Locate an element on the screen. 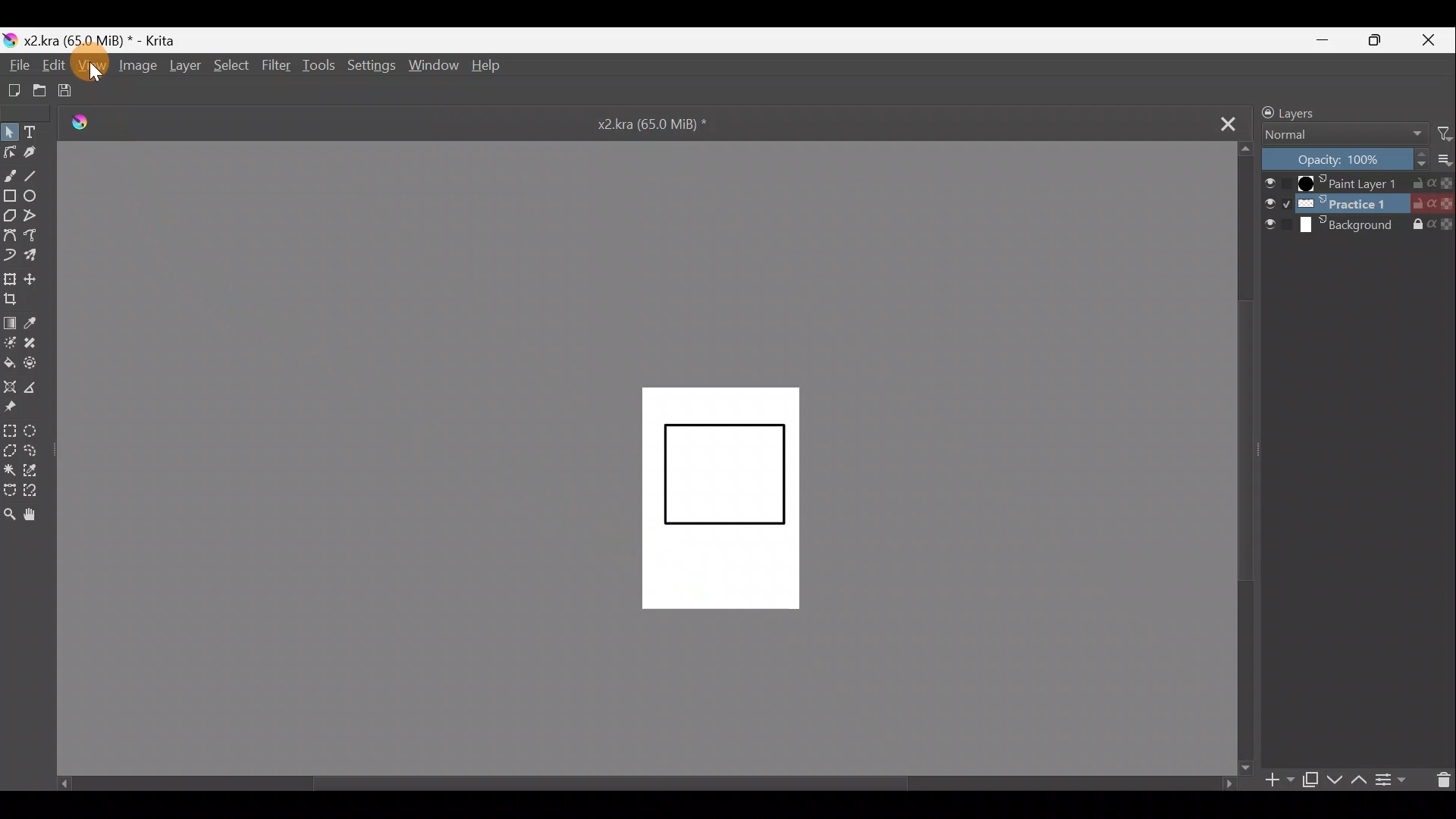 This screenshot has width=1456, height=819. Settings is located at coordinates (369, 68).